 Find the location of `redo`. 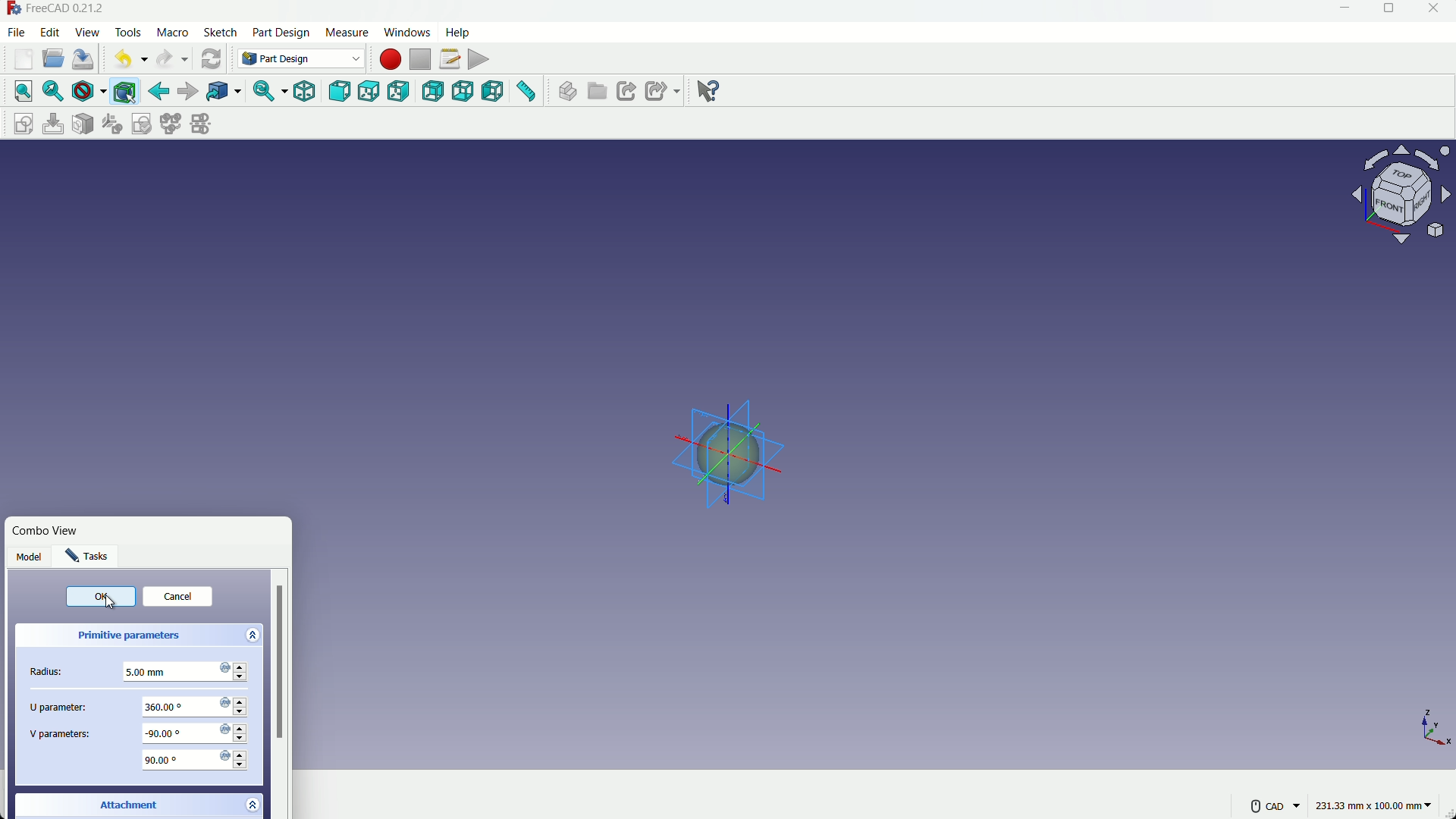

redo is located at coordinates (164, 58).